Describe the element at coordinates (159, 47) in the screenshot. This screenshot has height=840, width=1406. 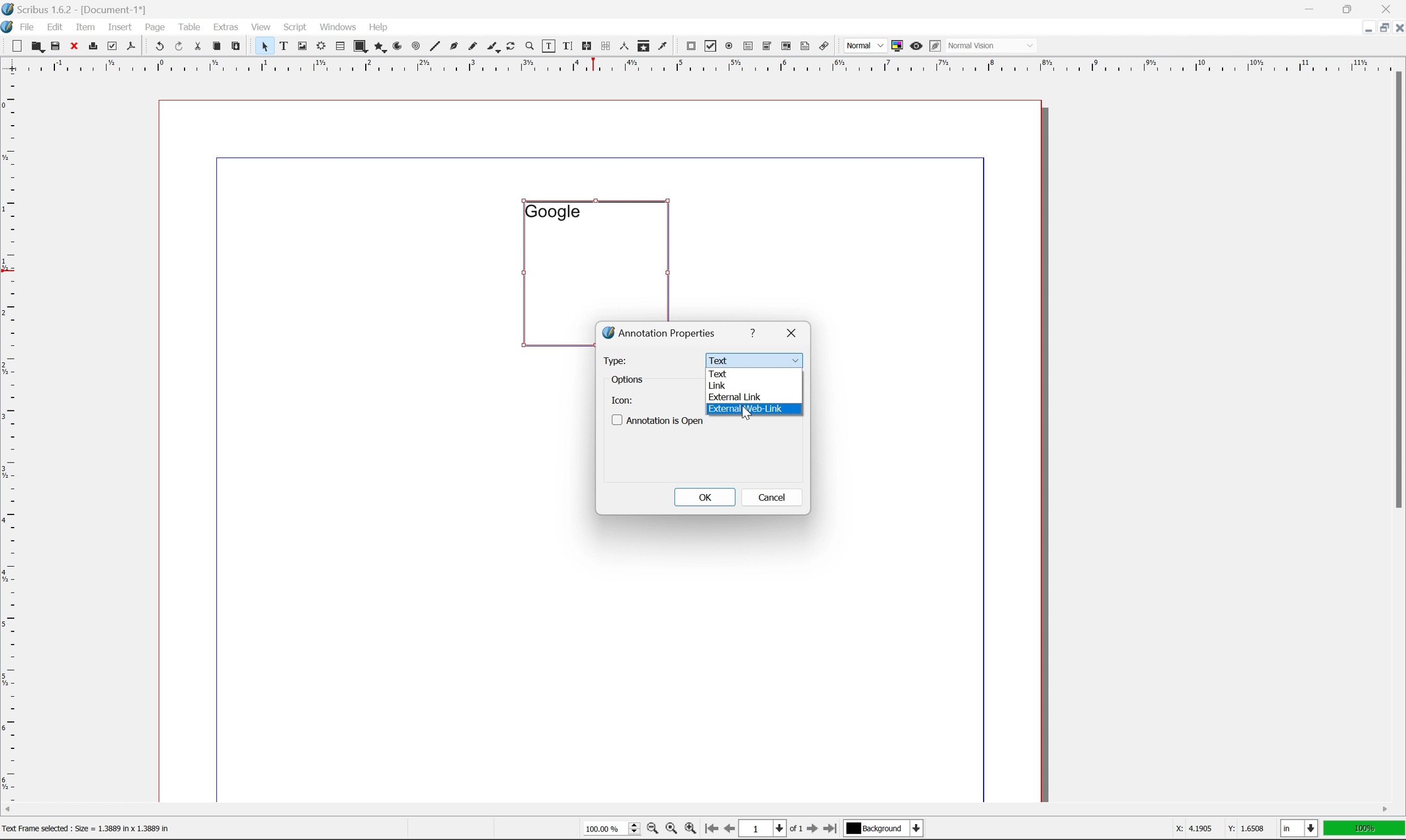
I see `undo` at that location.